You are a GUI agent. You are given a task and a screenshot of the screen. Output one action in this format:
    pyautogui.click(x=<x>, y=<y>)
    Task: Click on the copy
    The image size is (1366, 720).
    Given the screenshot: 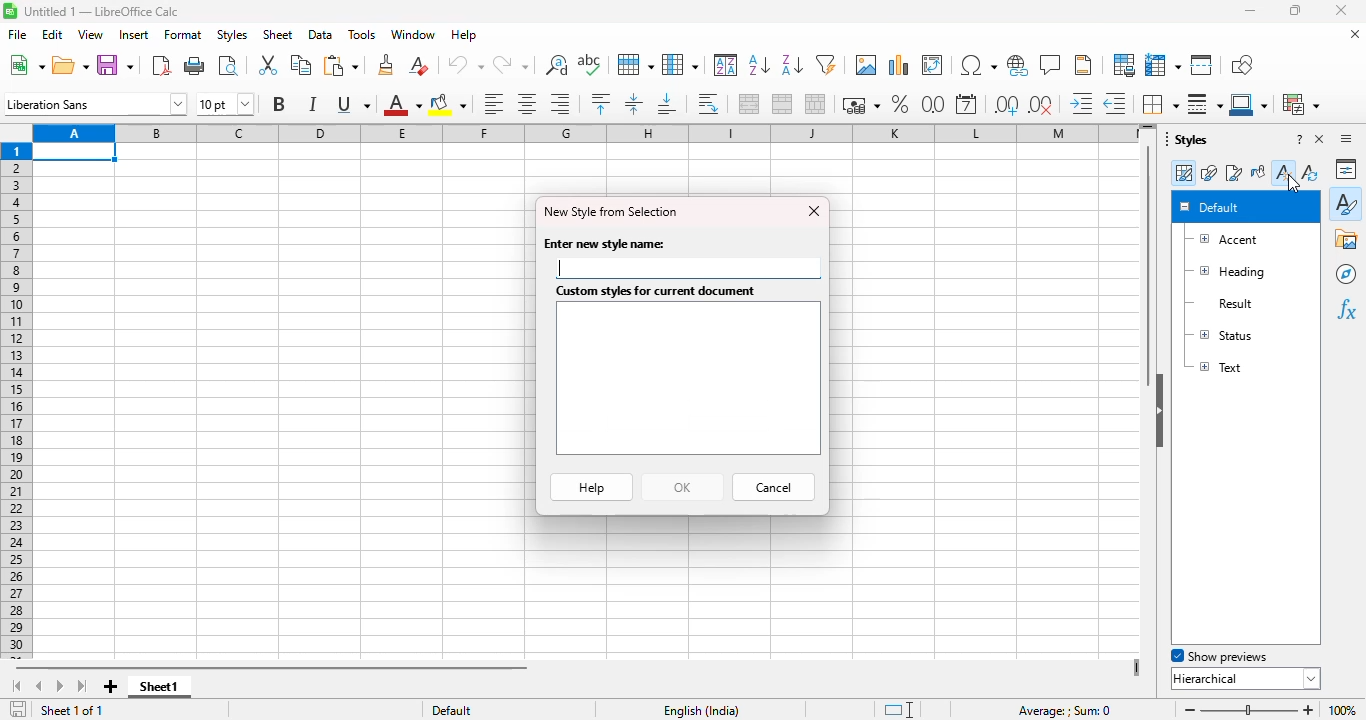 What is the action you would take?
    pyautogui.click(x=302, y=64)
    